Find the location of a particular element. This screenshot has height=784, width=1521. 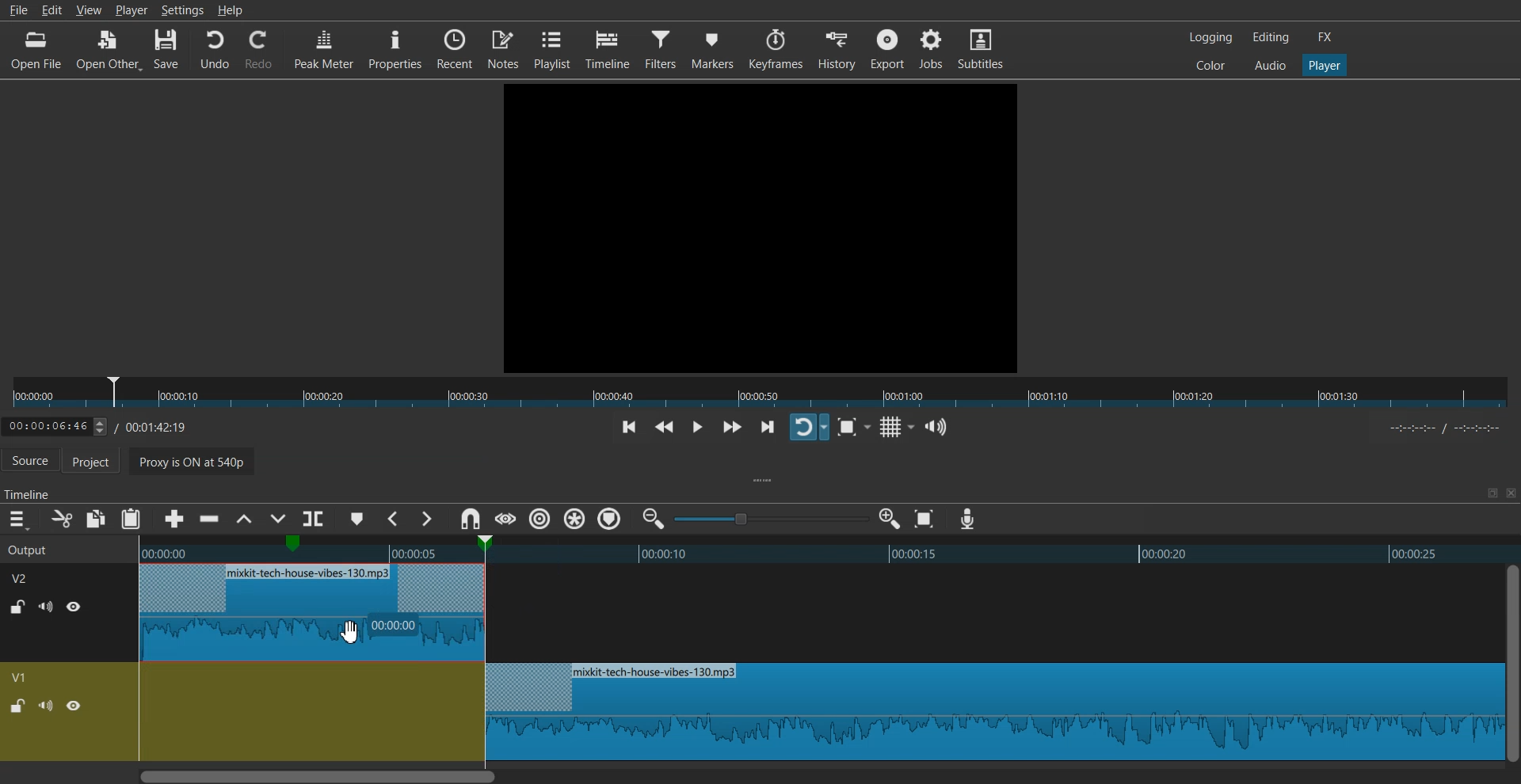

Zoom timeline to Fit is located at coordinates (924, 519).